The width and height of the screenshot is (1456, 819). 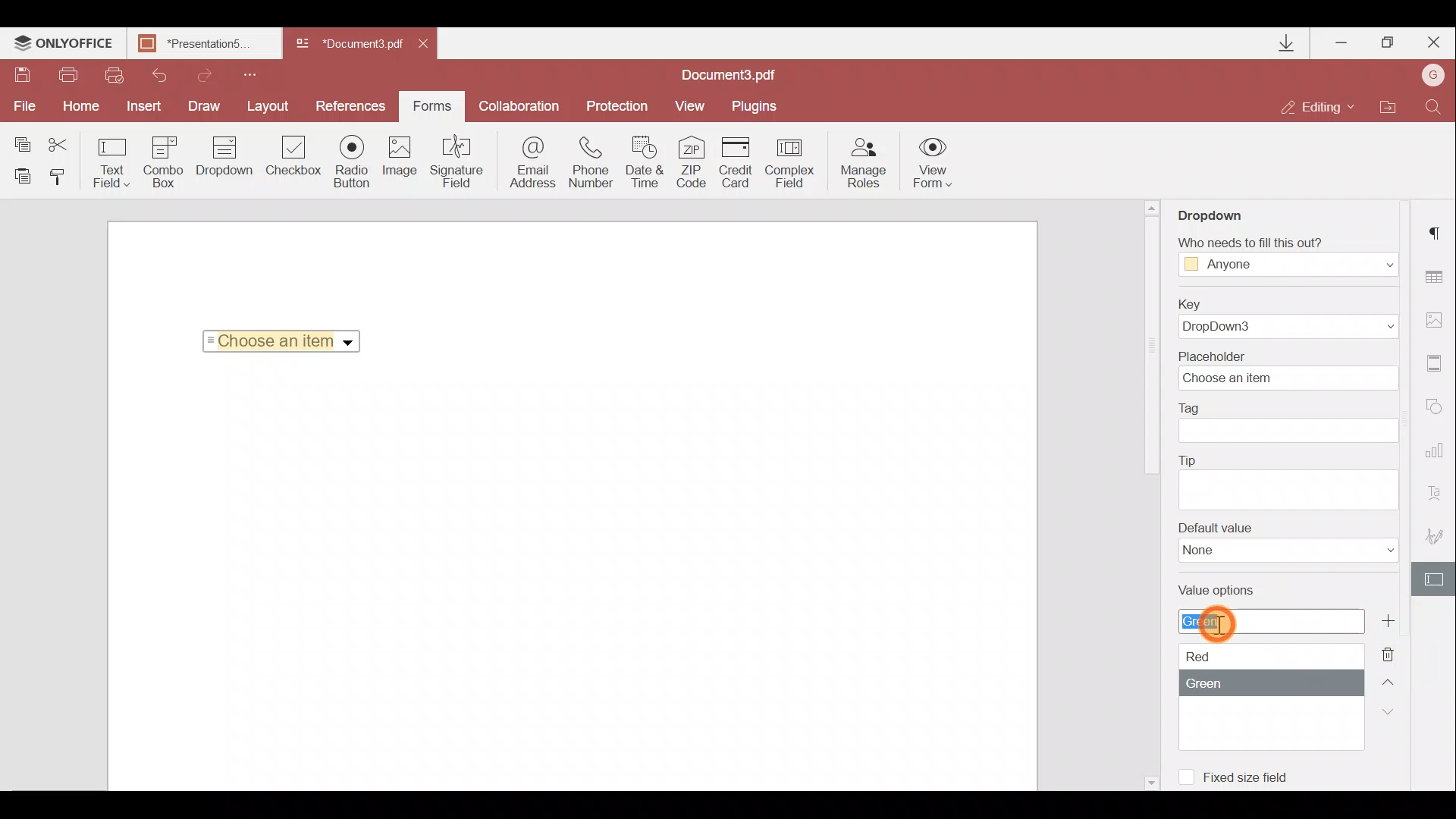 What do you see at coordinates (756, 107) in the screenshot?
I see `Plugins` at bounding box center [756, 107].